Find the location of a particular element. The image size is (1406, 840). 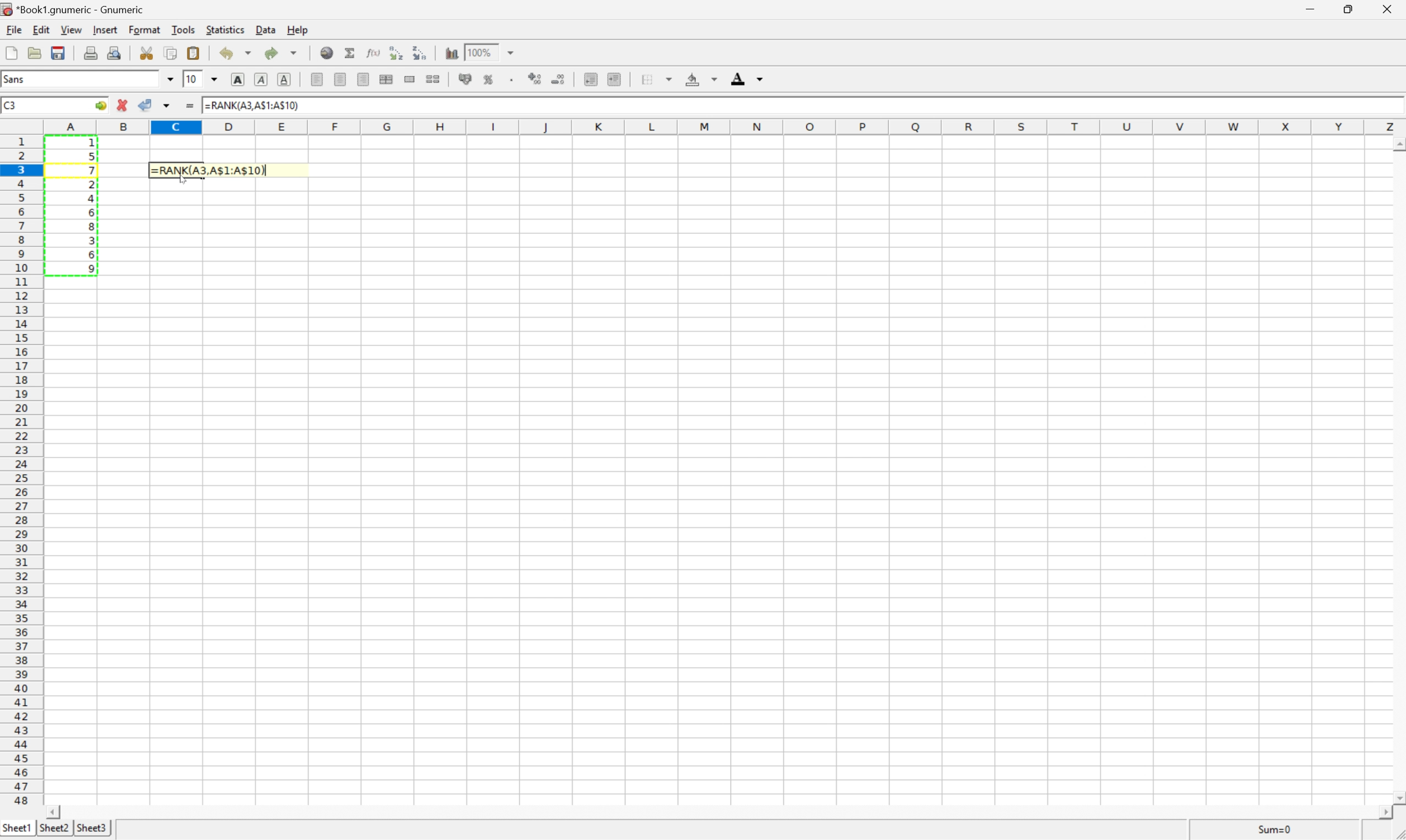

enter formula is located at coordinates (193, 106).